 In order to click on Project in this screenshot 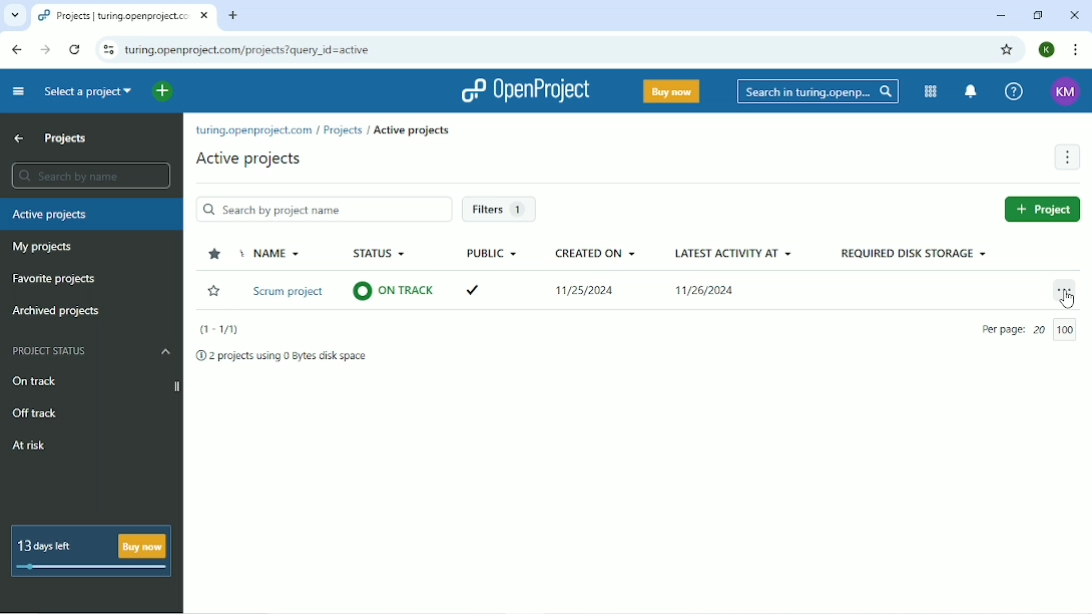, I will do `click(1042, 208)`.